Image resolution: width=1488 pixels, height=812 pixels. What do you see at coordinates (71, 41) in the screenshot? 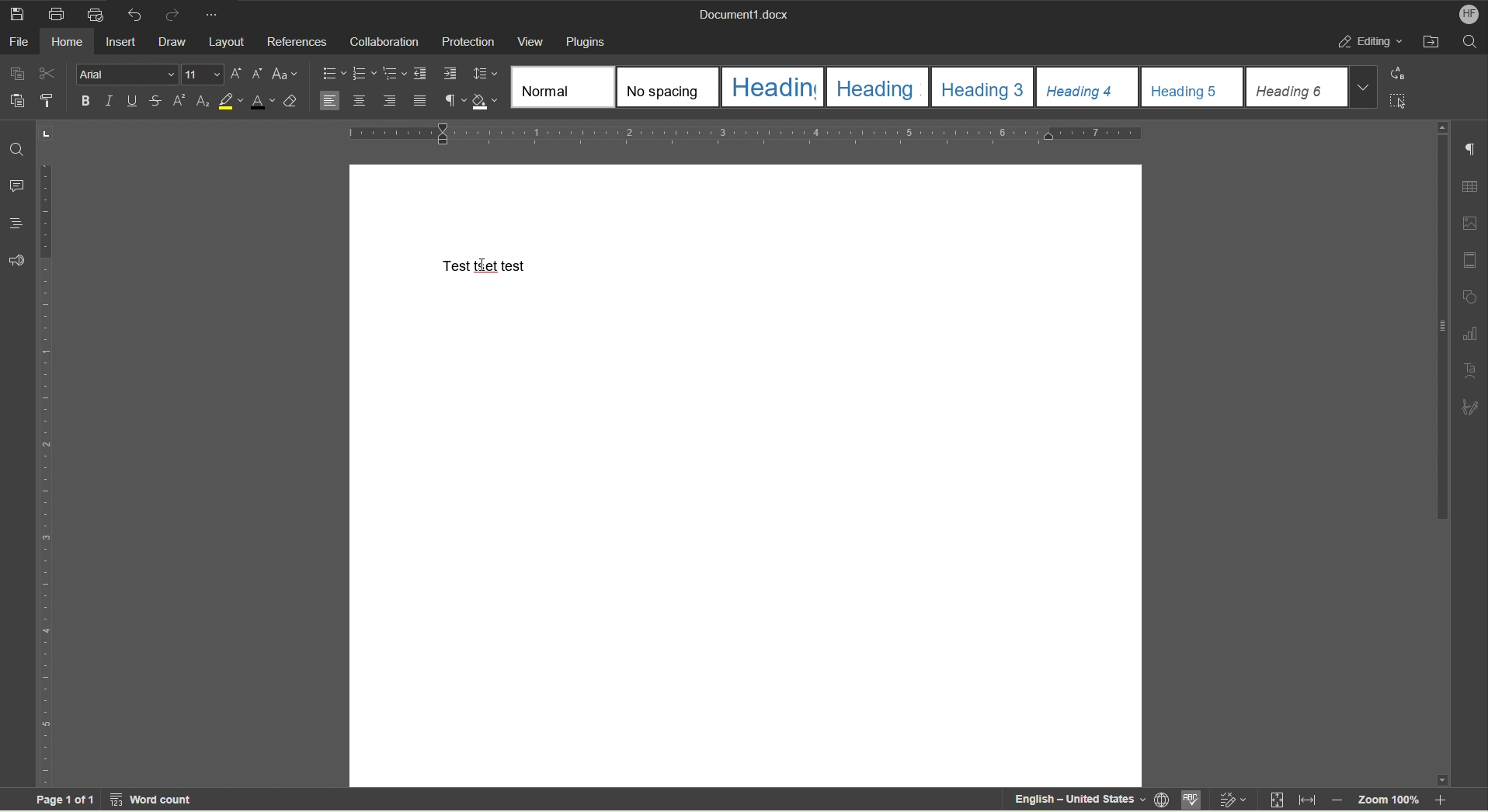
I see `Home` at bounding box center [71, 41].